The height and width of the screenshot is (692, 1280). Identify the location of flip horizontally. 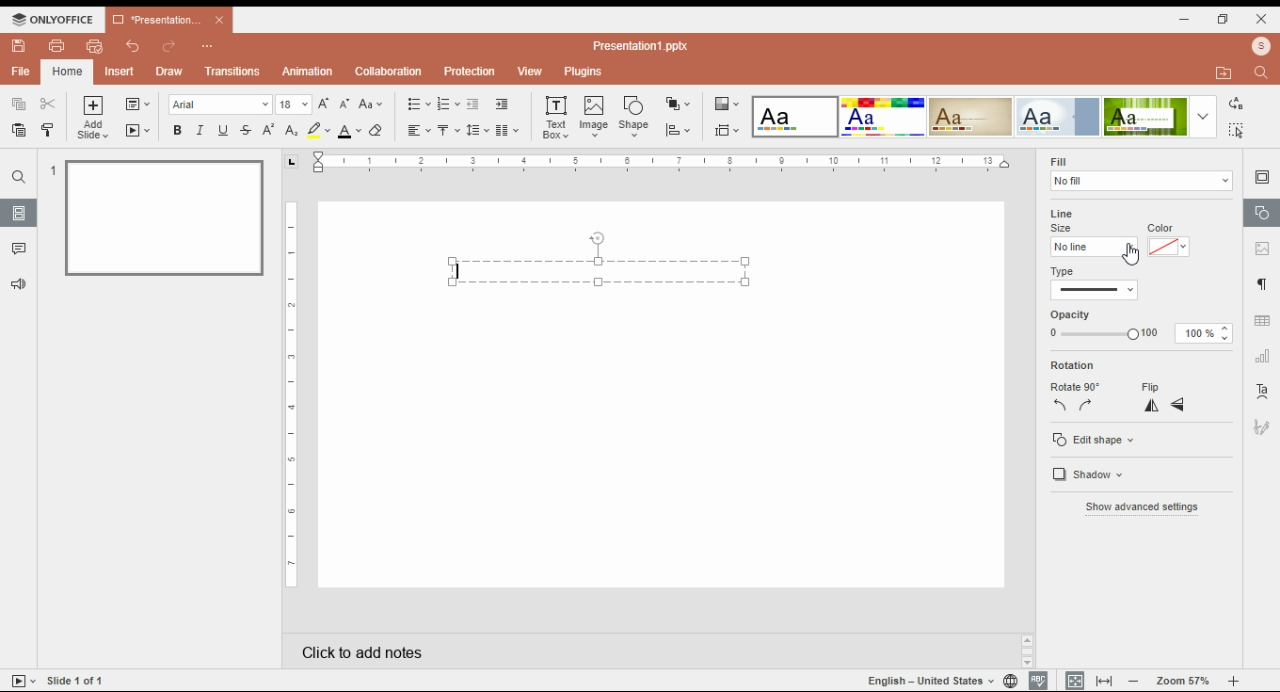
(1151, 406).